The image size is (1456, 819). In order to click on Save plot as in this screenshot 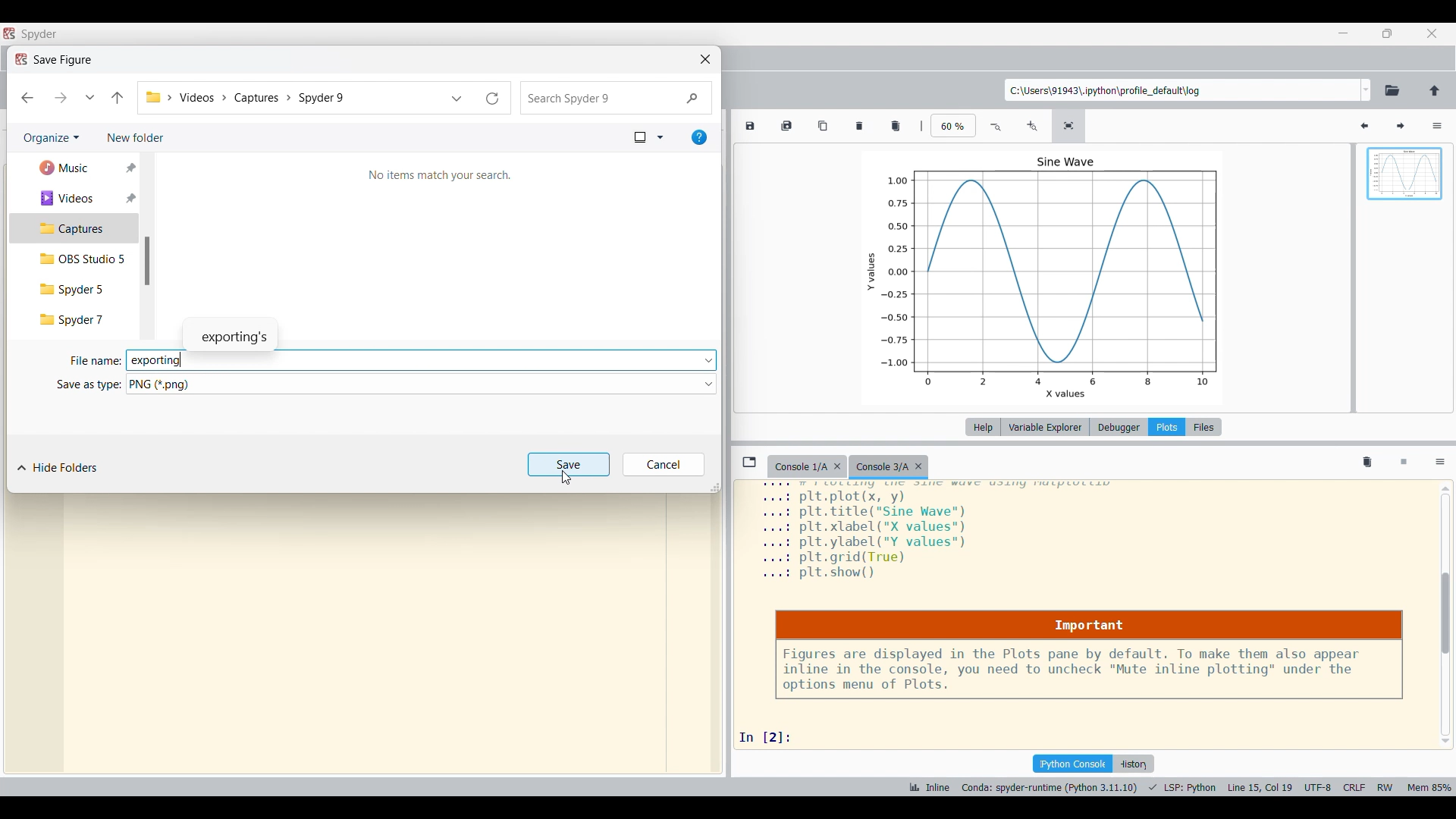, I will do `click(749, 126)`.